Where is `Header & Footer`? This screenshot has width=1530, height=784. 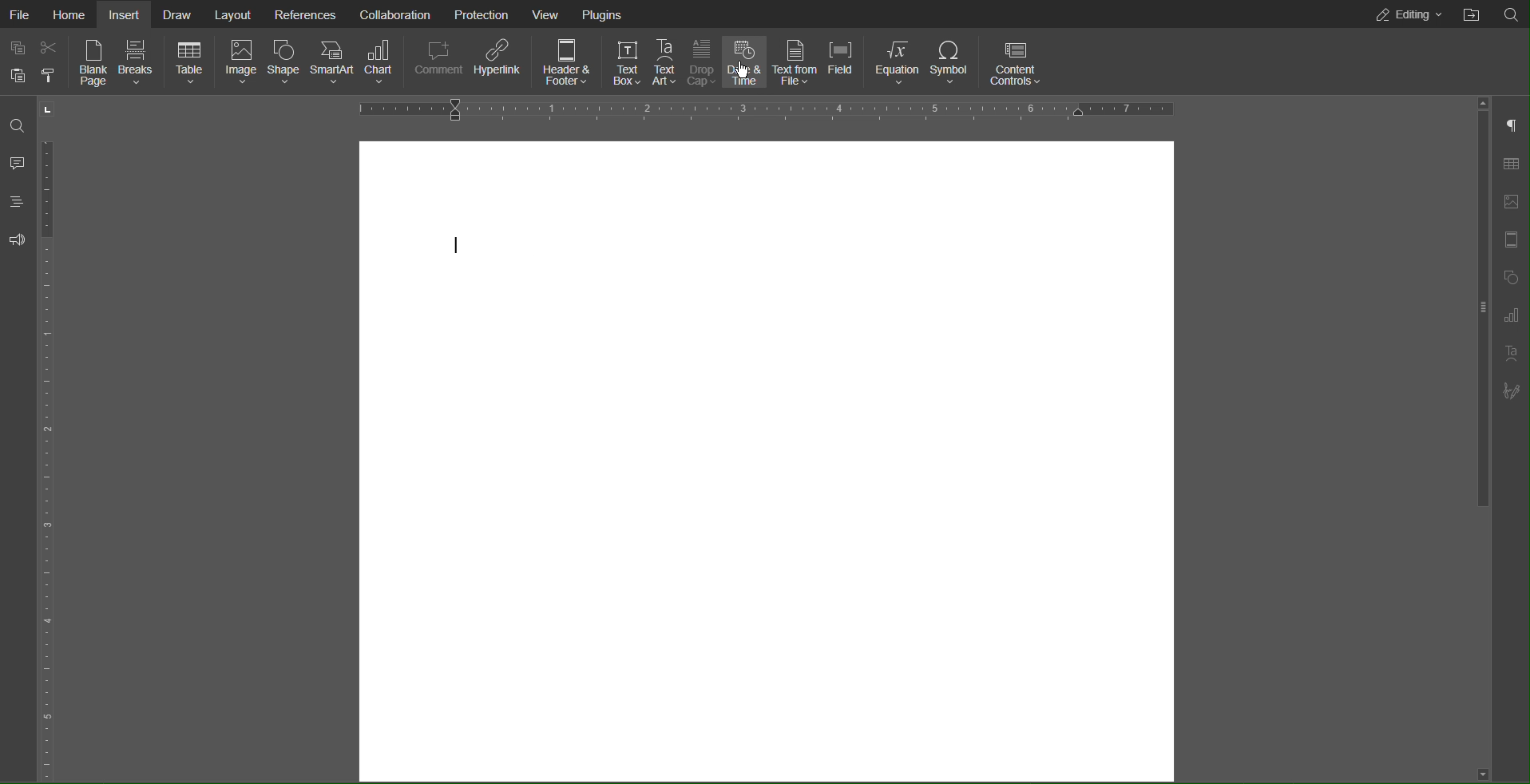
Header & Footer is located at coordinates (1512, 241).